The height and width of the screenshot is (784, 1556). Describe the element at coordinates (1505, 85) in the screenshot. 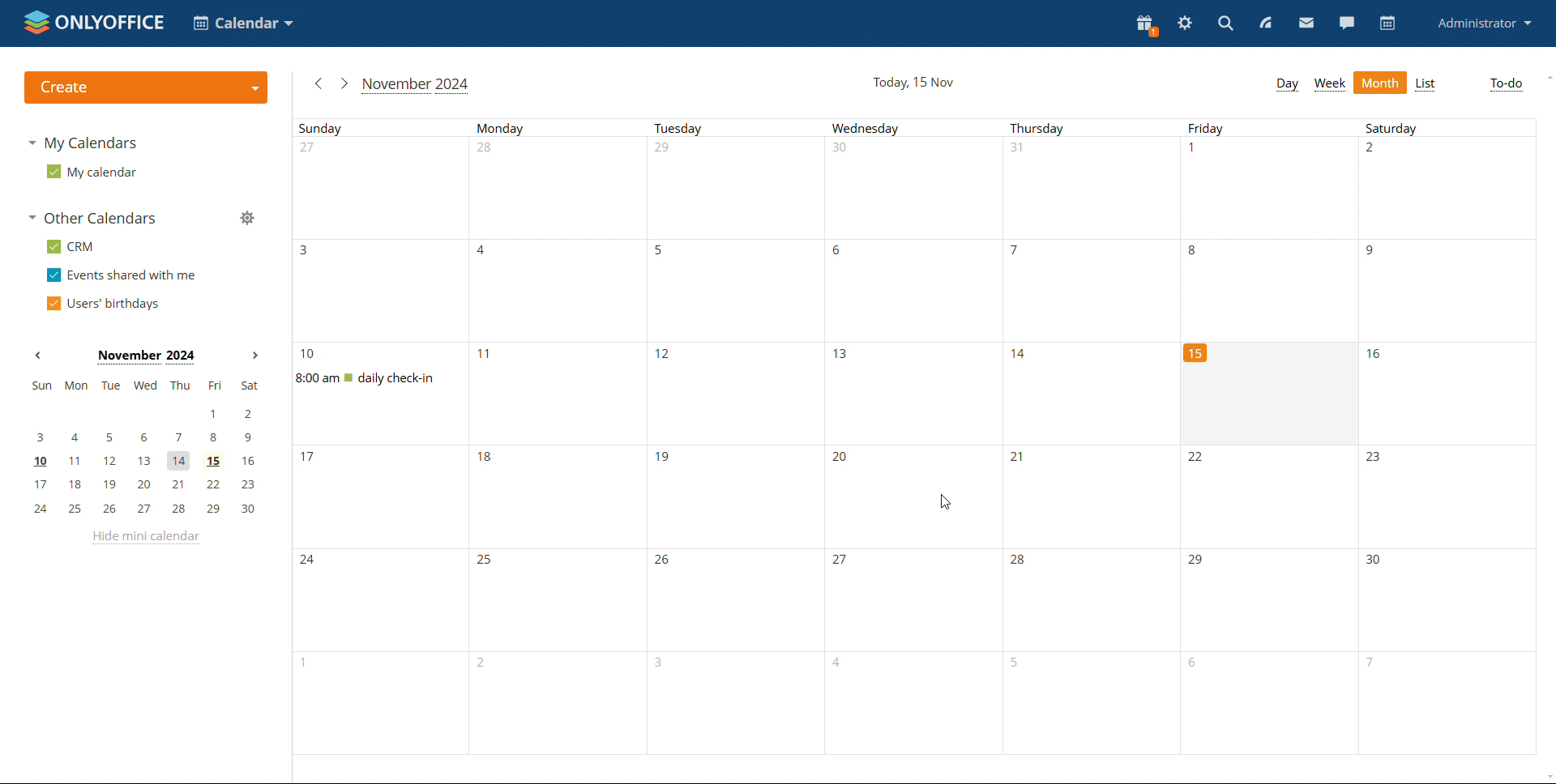

I see `to-do` at that location.